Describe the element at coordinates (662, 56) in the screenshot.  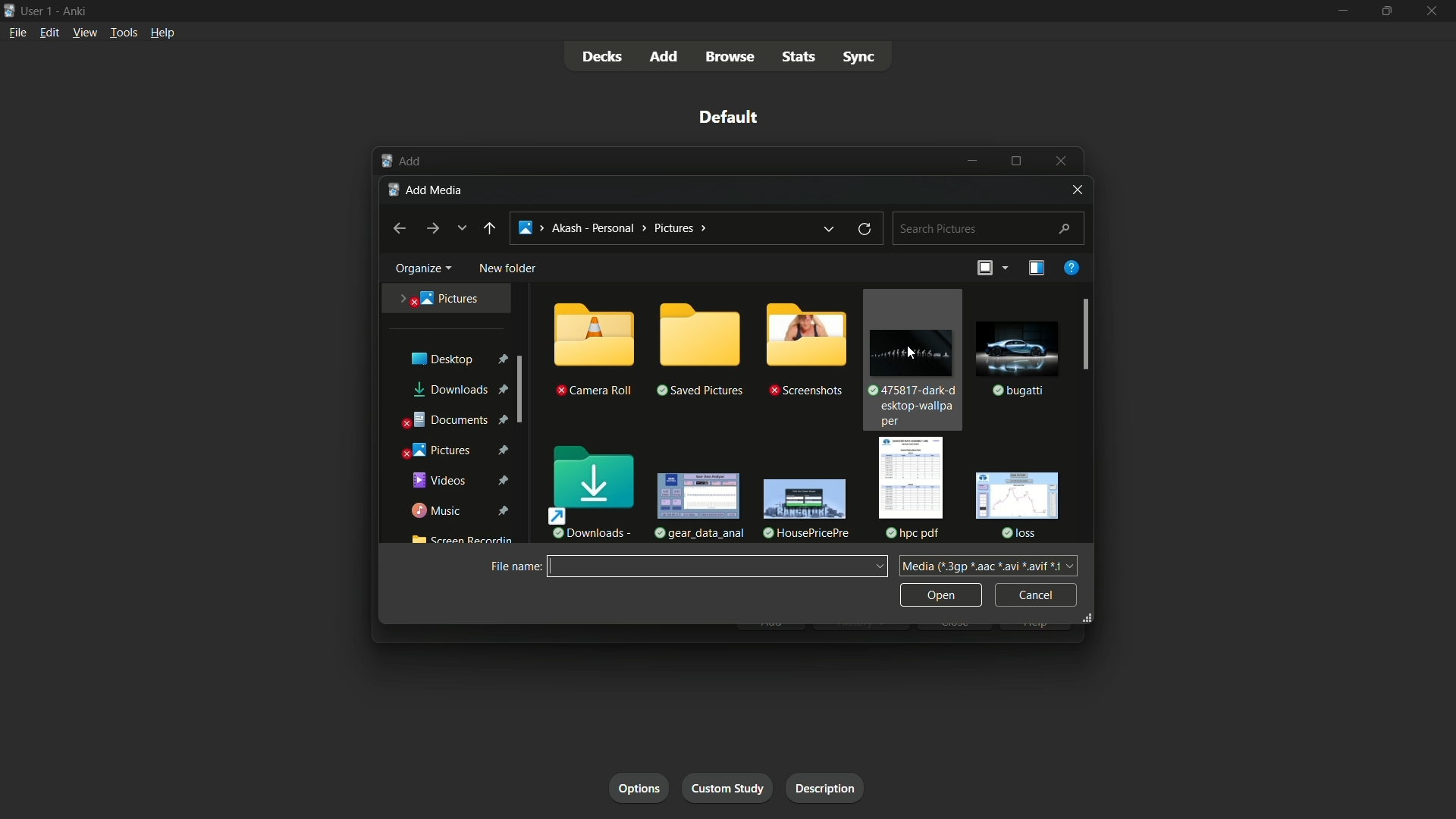
I see `add` at that location.